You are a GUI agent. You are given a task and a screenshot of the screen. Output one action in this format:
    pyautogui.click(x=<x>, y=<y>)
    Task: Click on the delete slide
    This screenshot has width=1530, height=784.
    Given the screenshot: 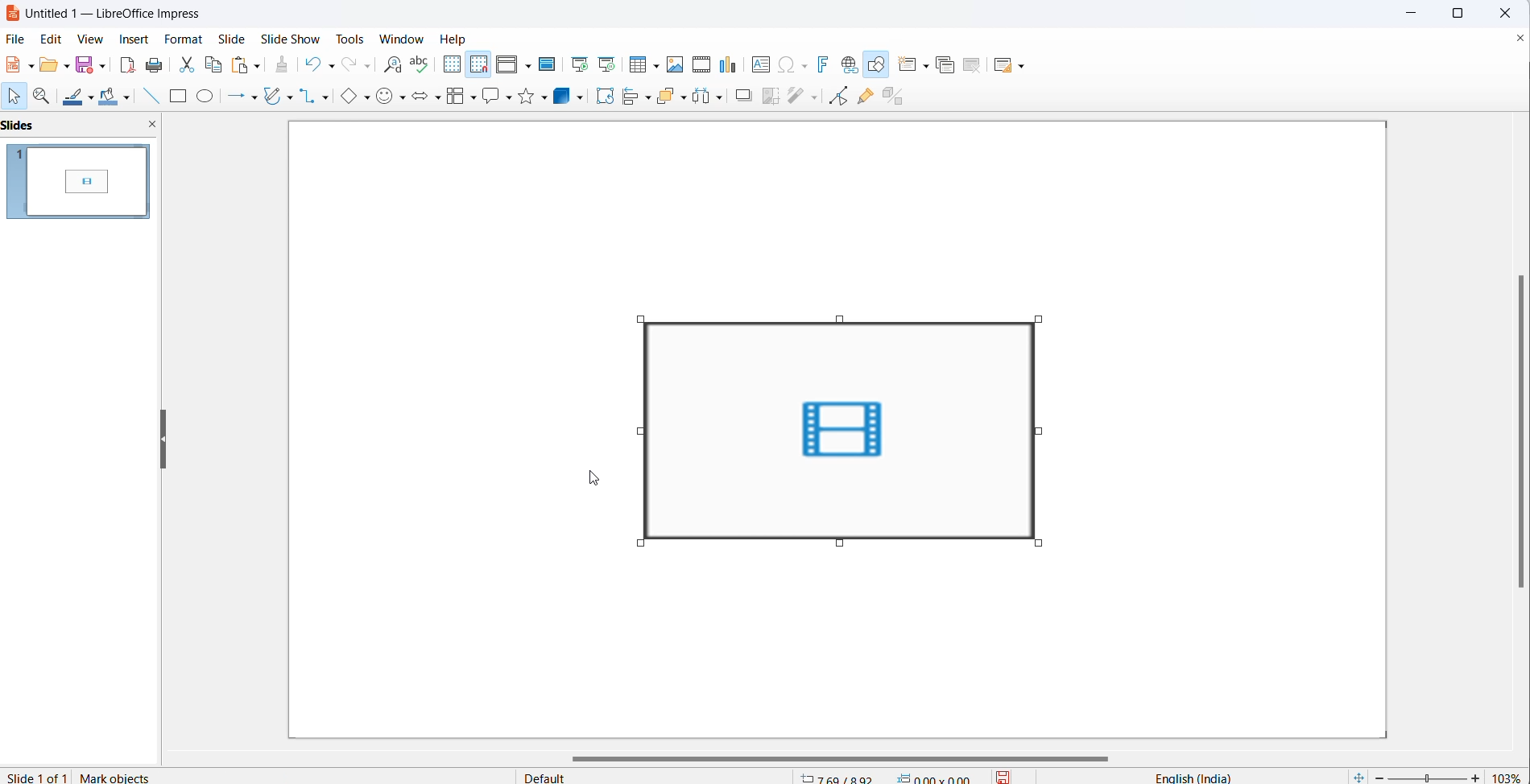 What is the action you would take?
    pyautogui.click(x=974, y=65)
    